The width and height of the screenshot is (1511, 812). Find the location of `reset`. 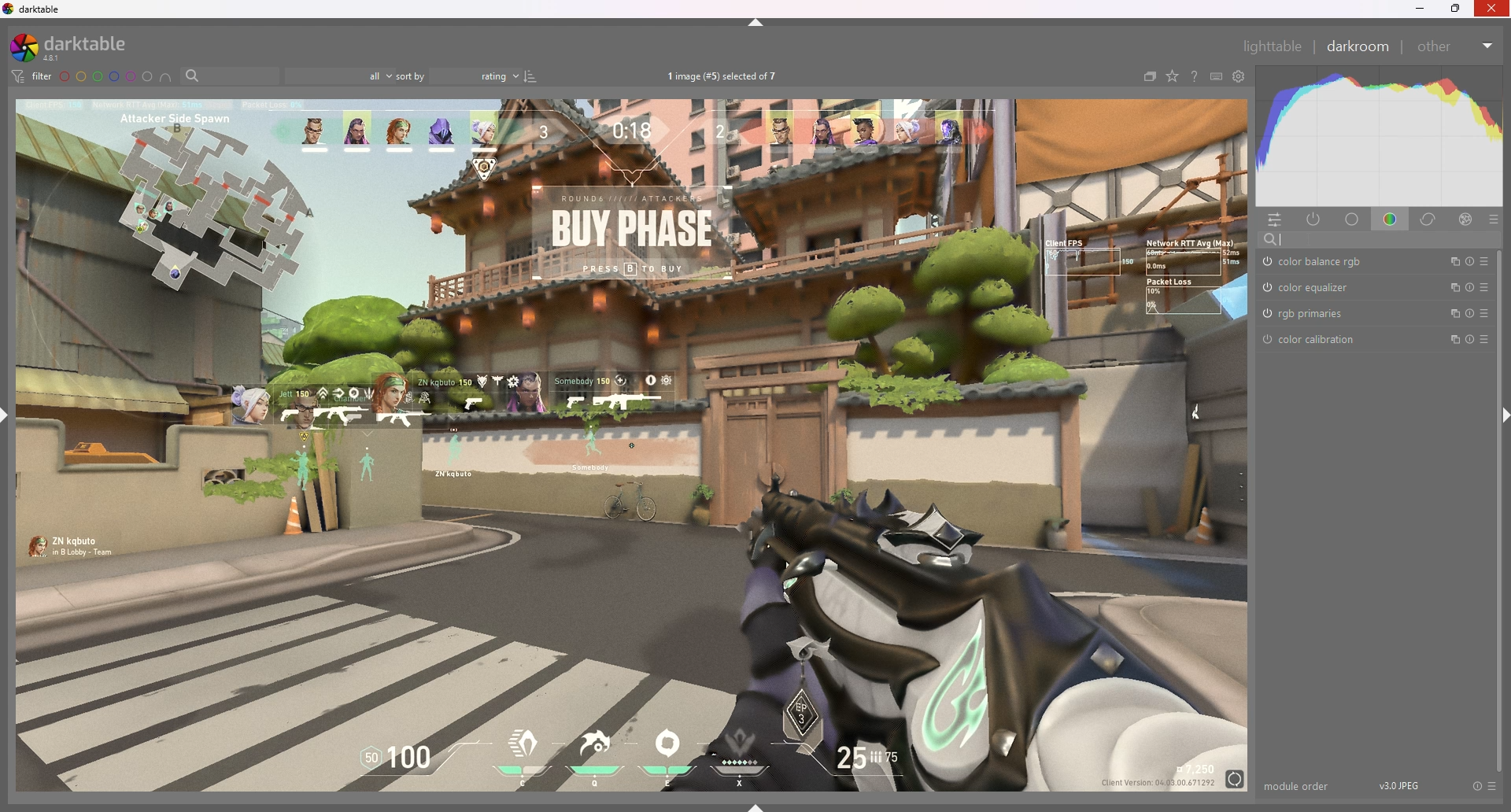

reset is located at coordinates (1468, 261).